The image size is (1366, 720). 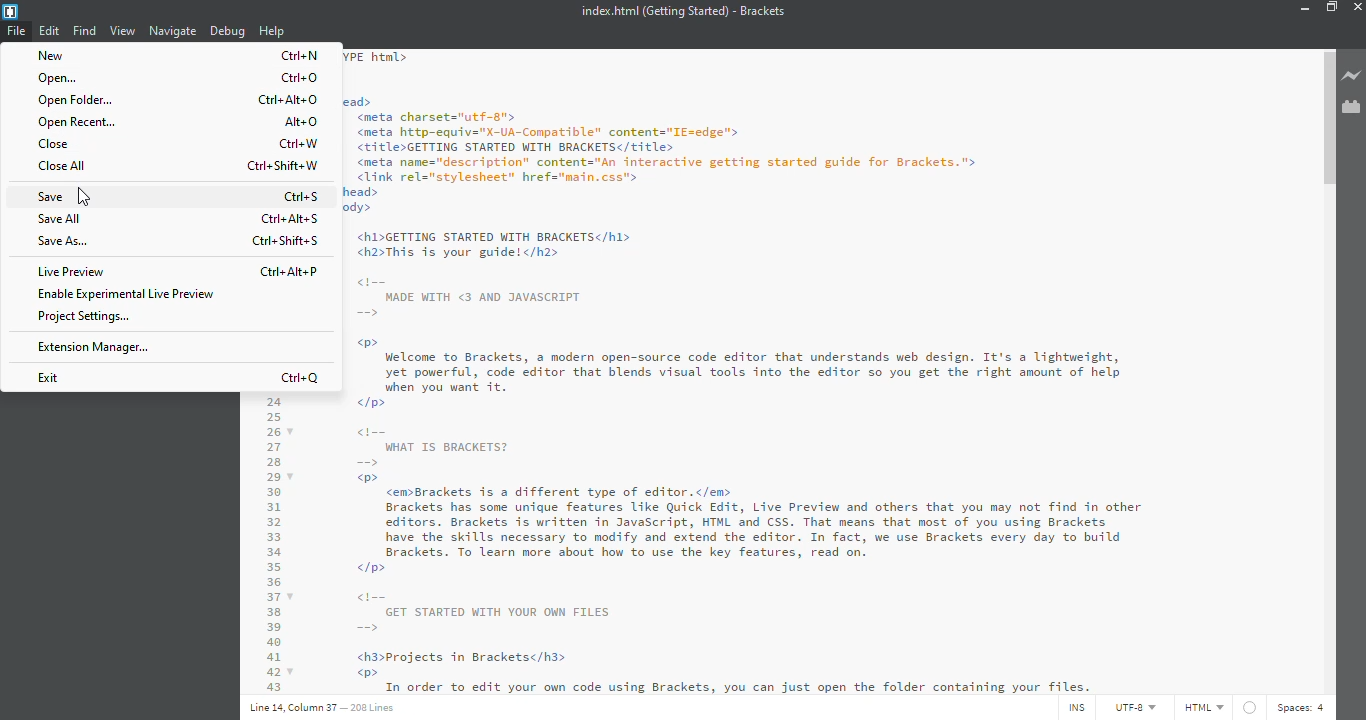 I want to click on enable experimental live preview, so click(x=127, y=293).